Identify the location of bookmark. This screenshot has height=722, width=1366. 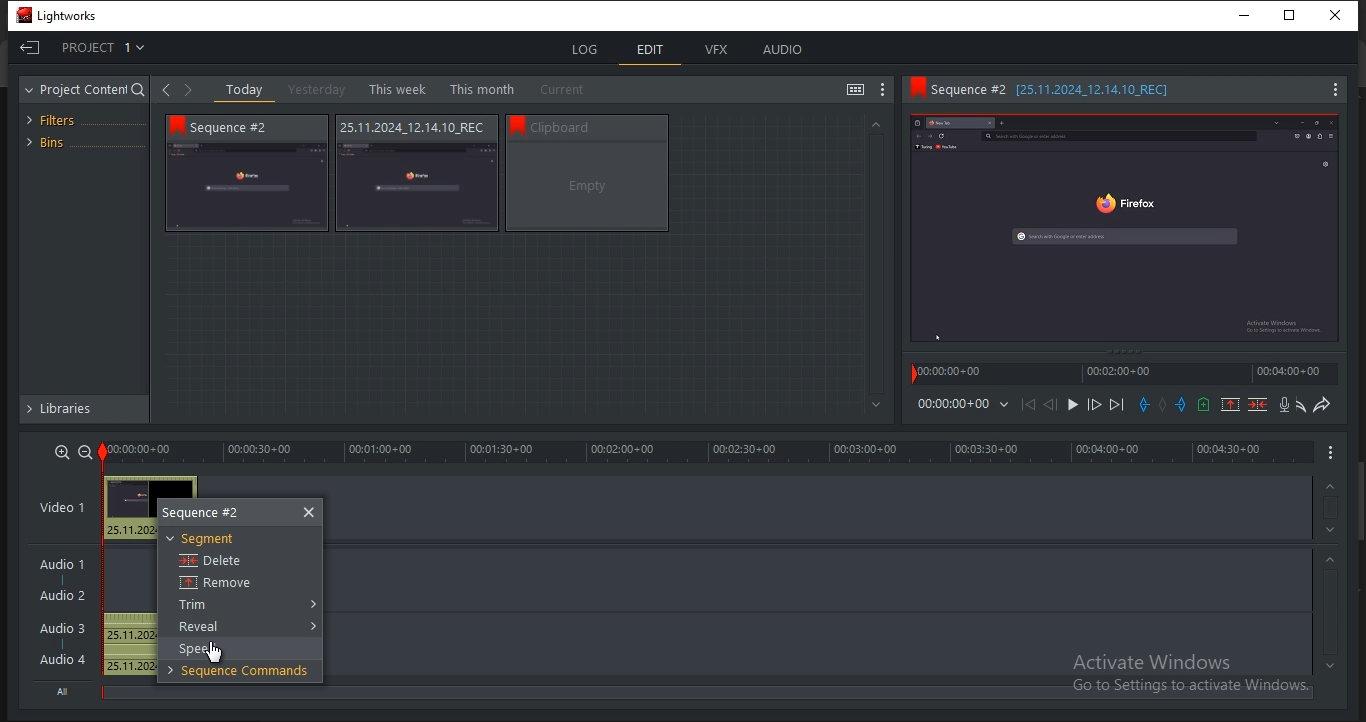
(176, 127).